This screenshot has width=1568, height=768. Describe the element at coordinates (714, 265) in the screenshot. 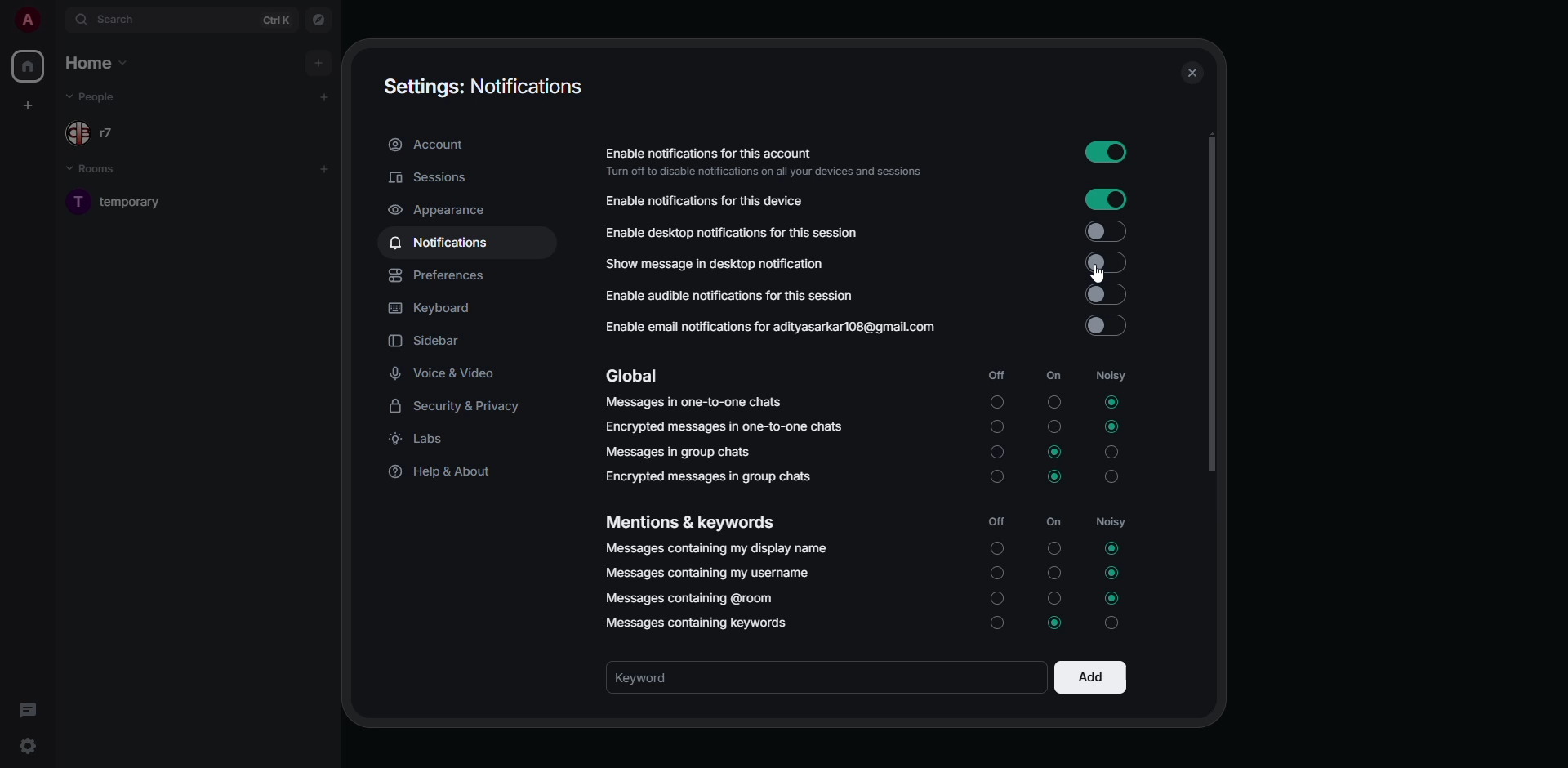

I see `show message in desktop notification` at that location.